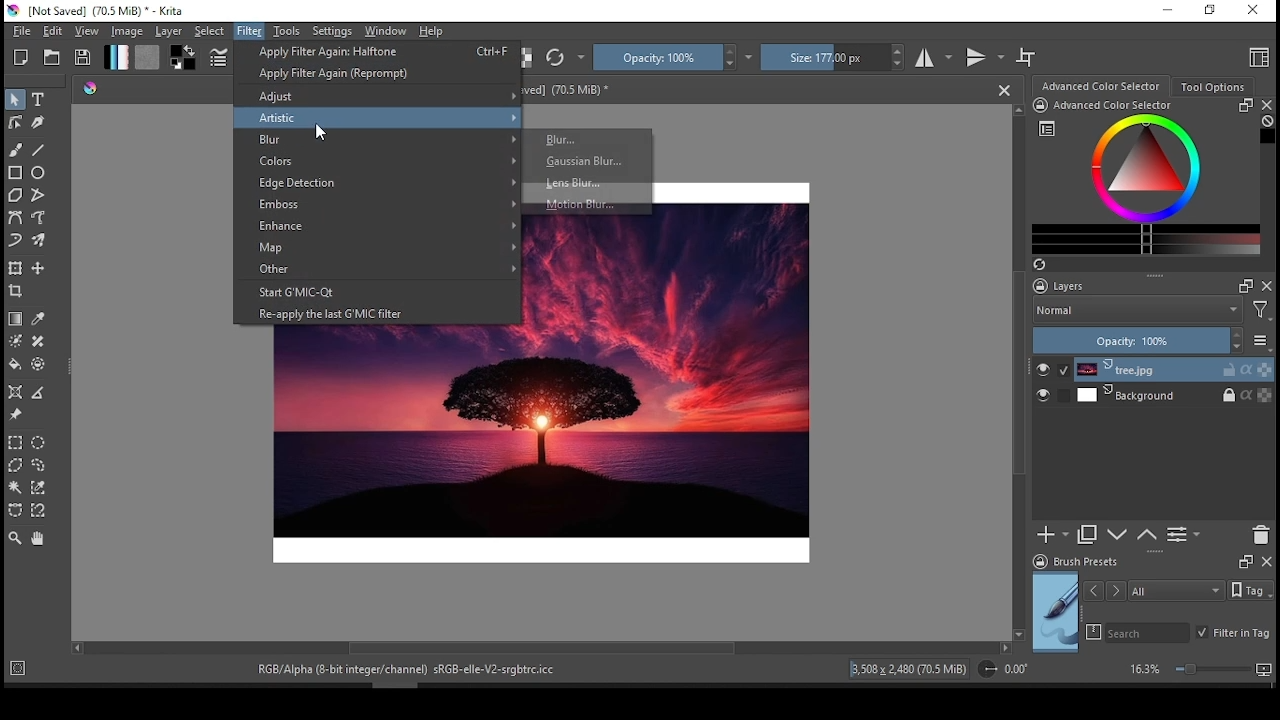 Image resolution: width=1280 pixels, height=720 pixels. I want to click on restore, so click(1208, 11).